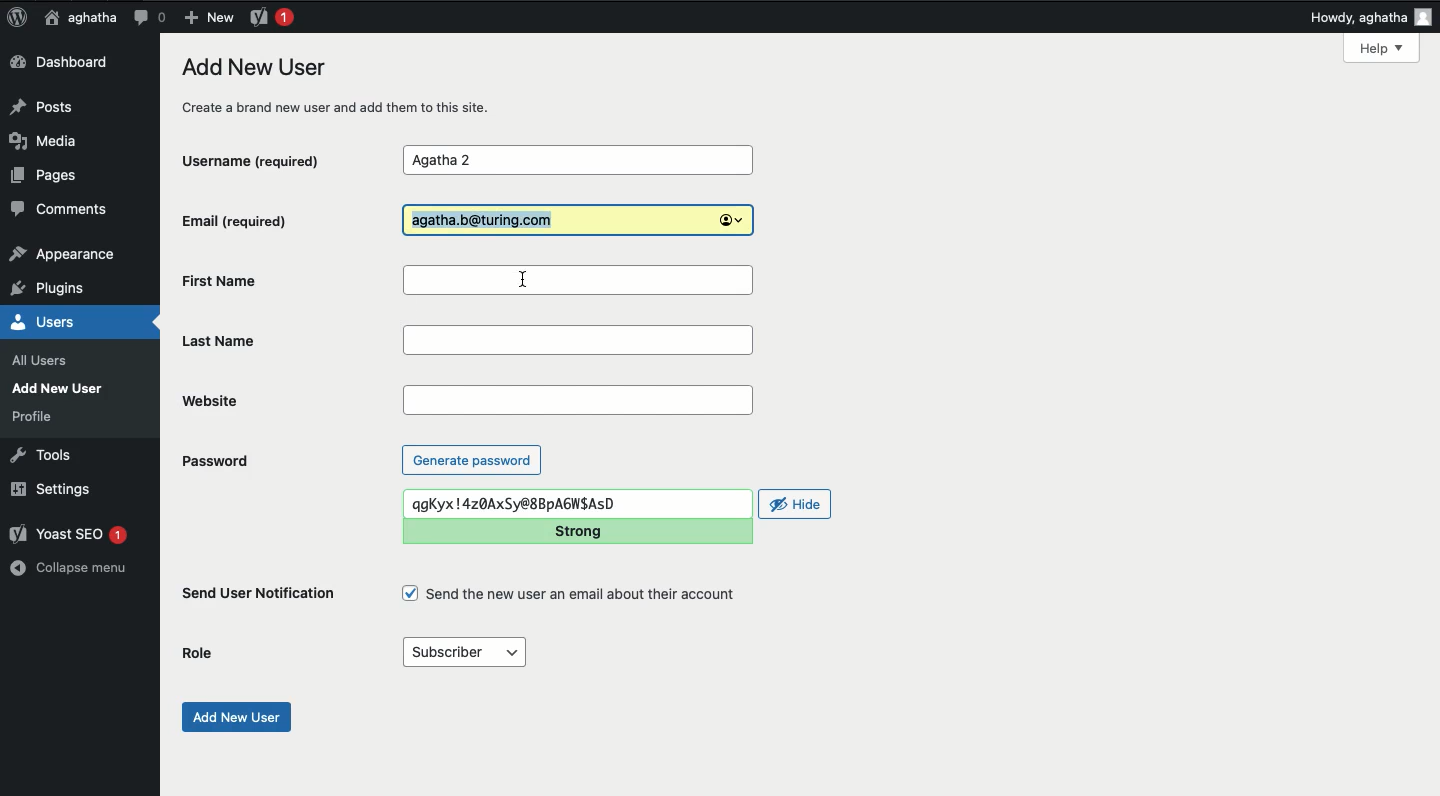 The width and height of the screenshot is (1440, 796). What do you see at coordinates (582, 531) in the screenshot?
I see `Strong` at bounding box center [582, 531].